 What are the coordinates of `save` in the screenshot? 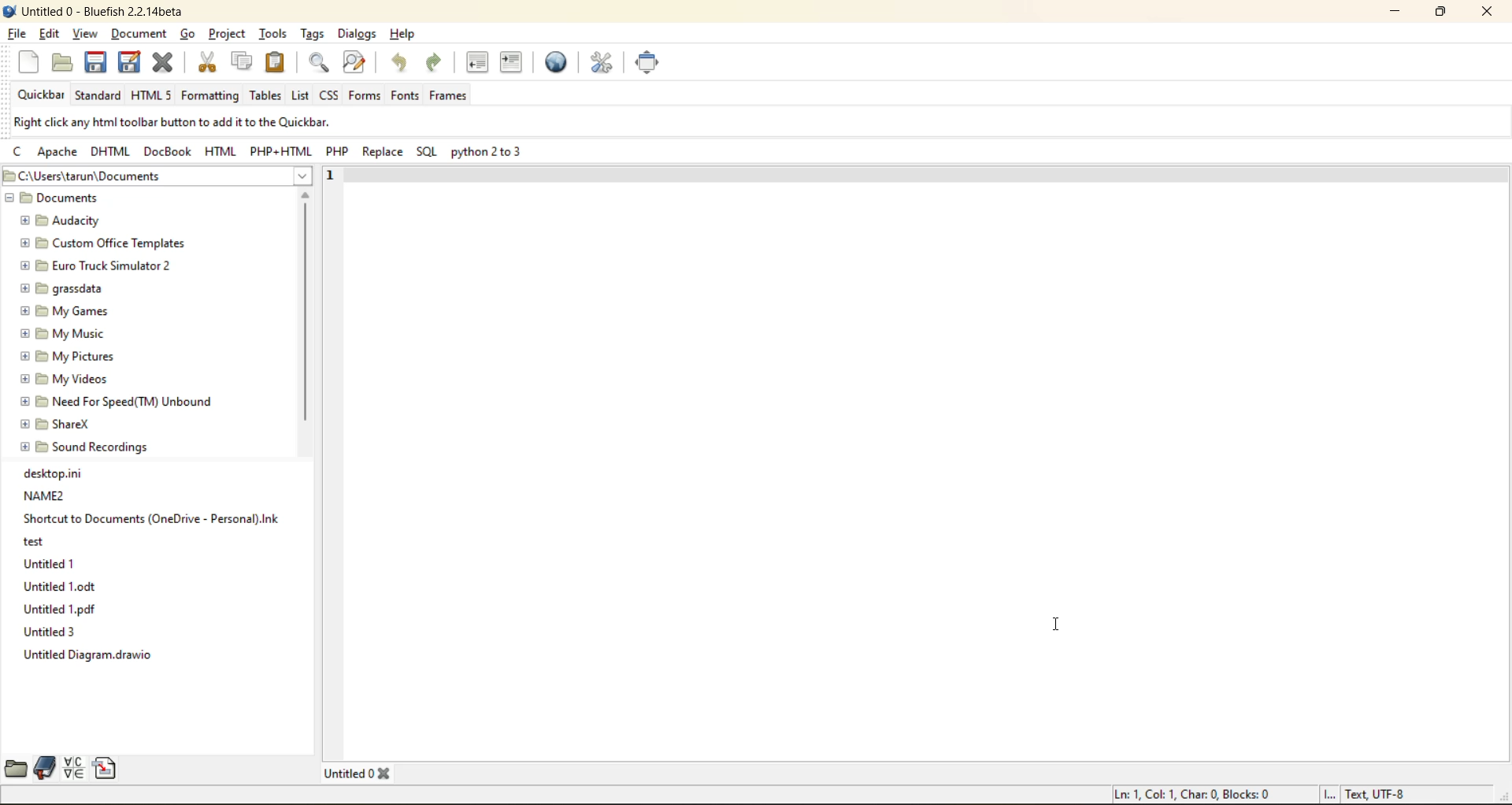 It's located at (92, 62).